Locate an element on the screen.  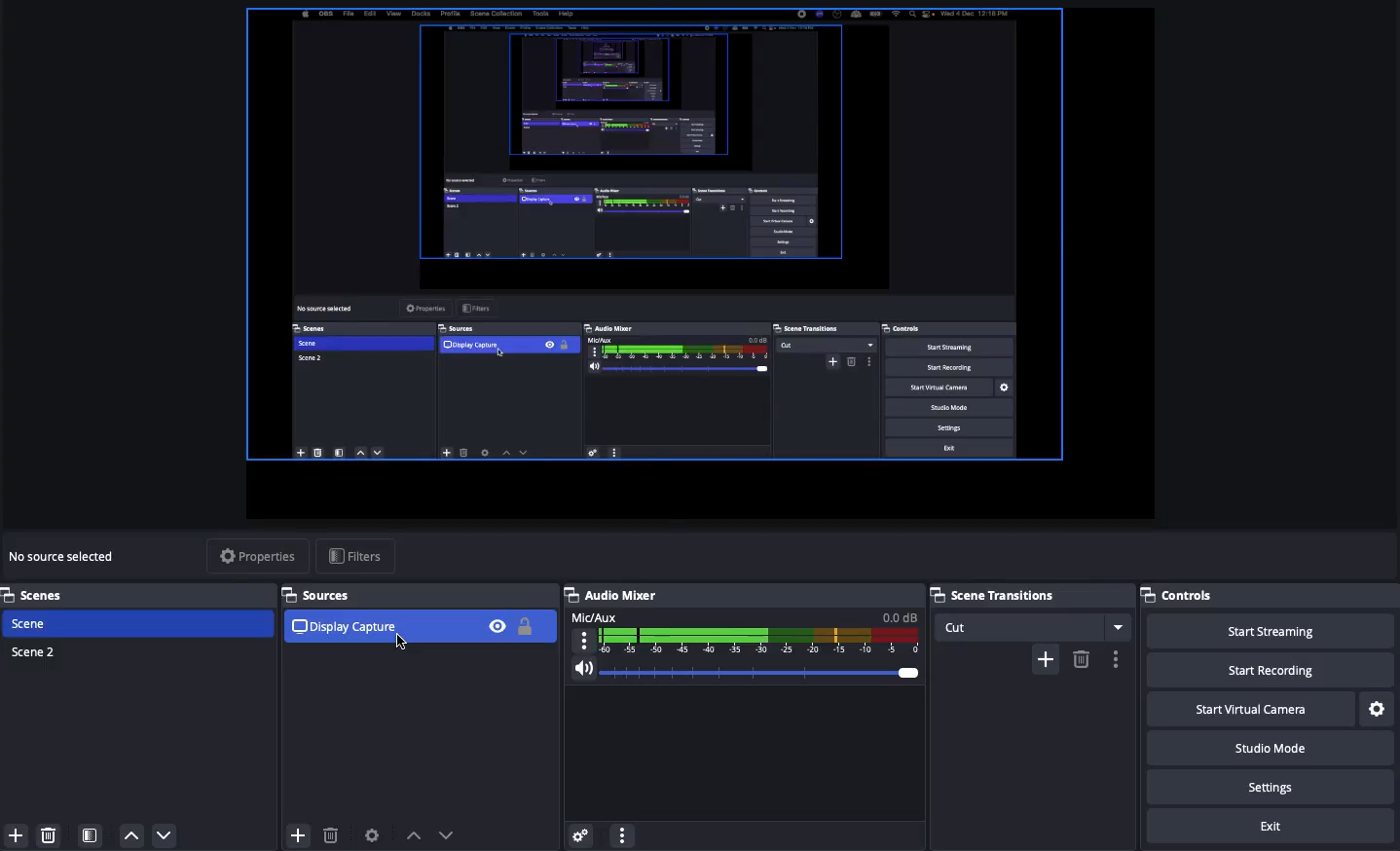
Scene transitions is located at coordinates (1026, 596).